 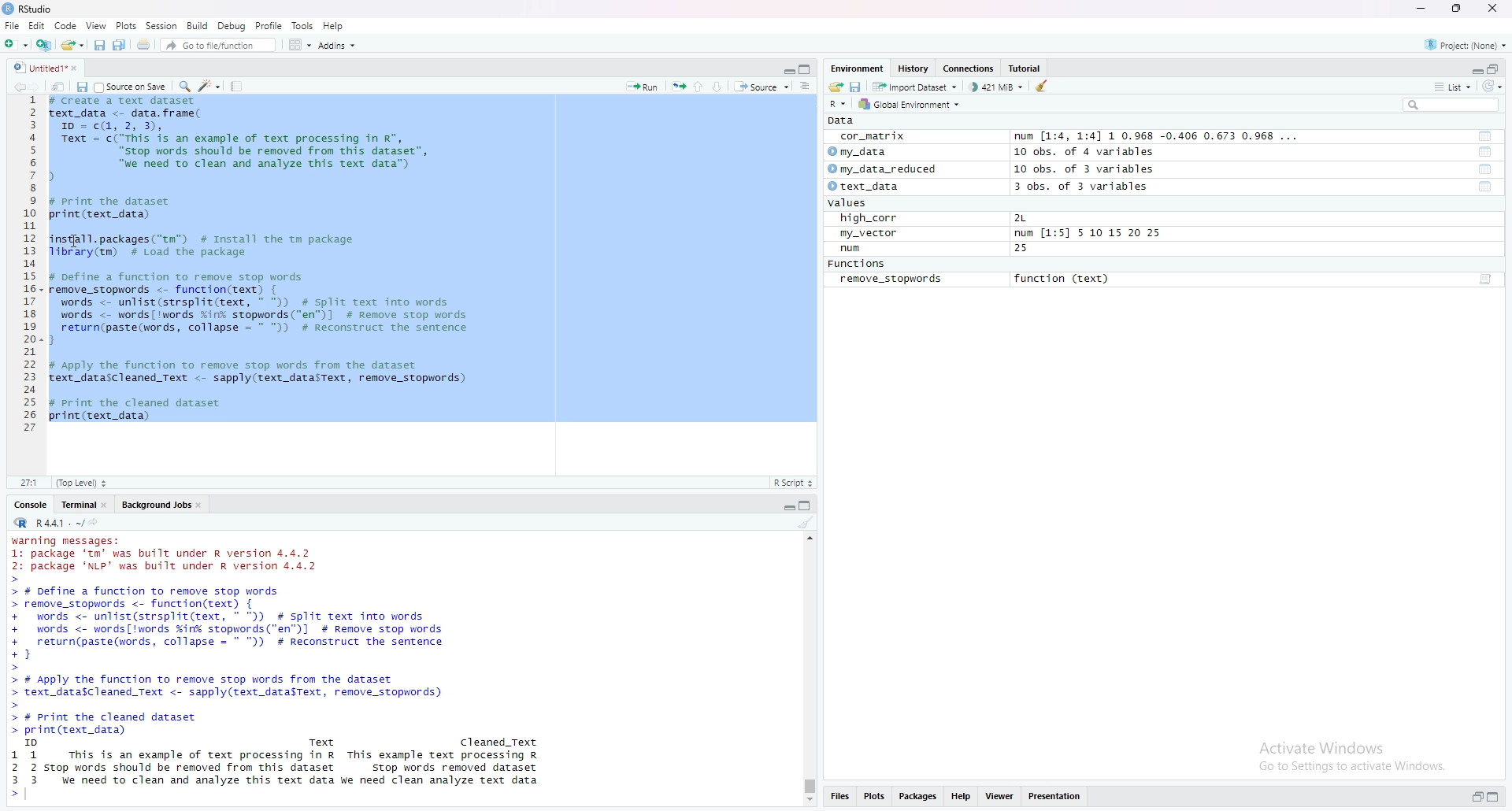 What do you see at coordinates (65, 25) in the screenshot?
I see `code` at bounding box center [65, 25].